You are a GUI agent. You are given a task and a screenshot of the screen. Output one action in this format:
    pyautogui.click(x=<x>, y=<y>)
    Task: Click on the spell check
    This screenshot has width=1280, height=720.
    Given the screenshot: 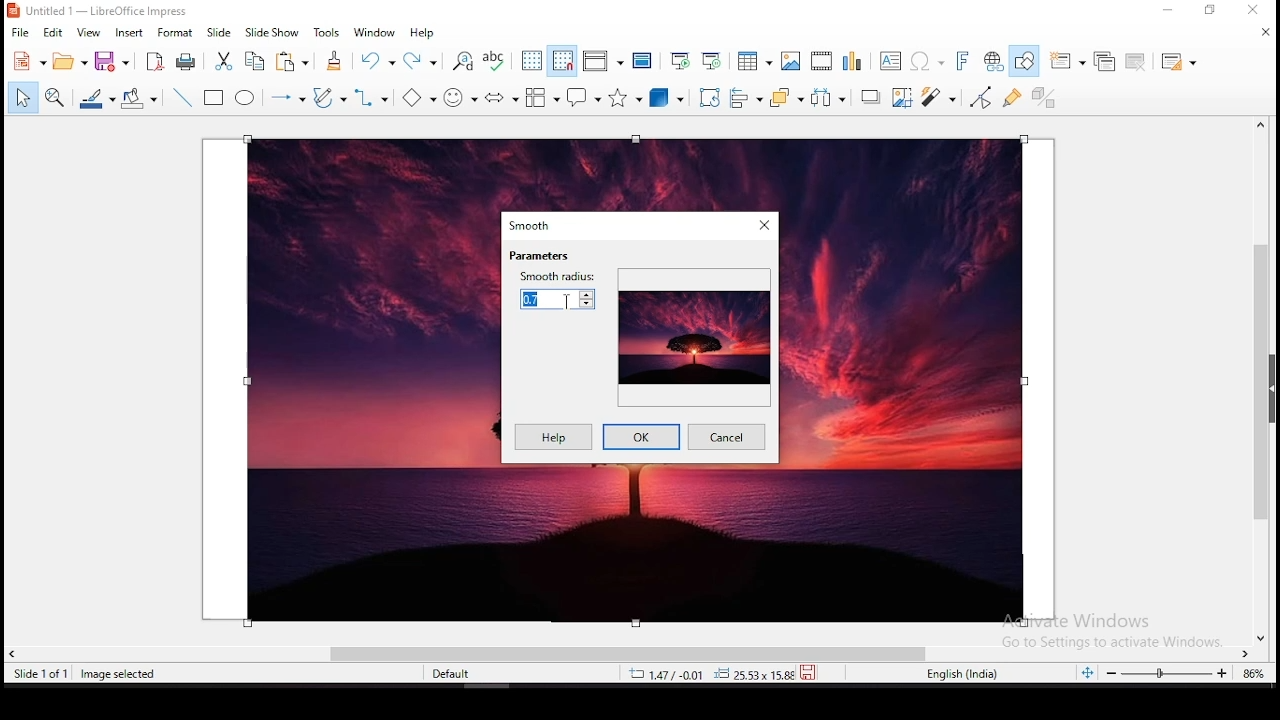 What is the action you would take?
    pyautogui.click(x=496, y=59)
    